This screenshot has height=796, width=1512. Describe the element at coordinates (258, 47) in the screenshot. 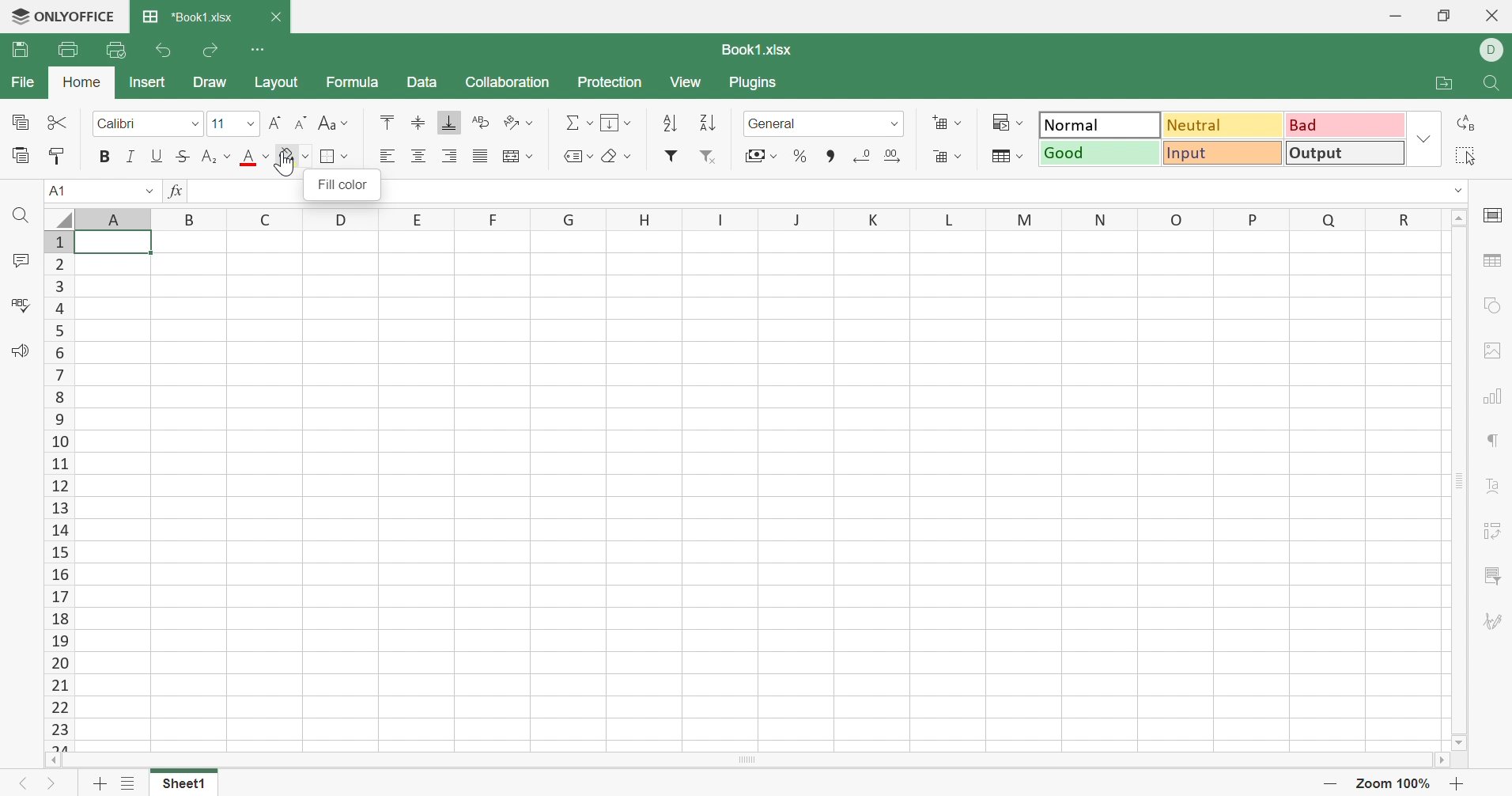

I see `Customize Quick Access Toolbar` at that location.